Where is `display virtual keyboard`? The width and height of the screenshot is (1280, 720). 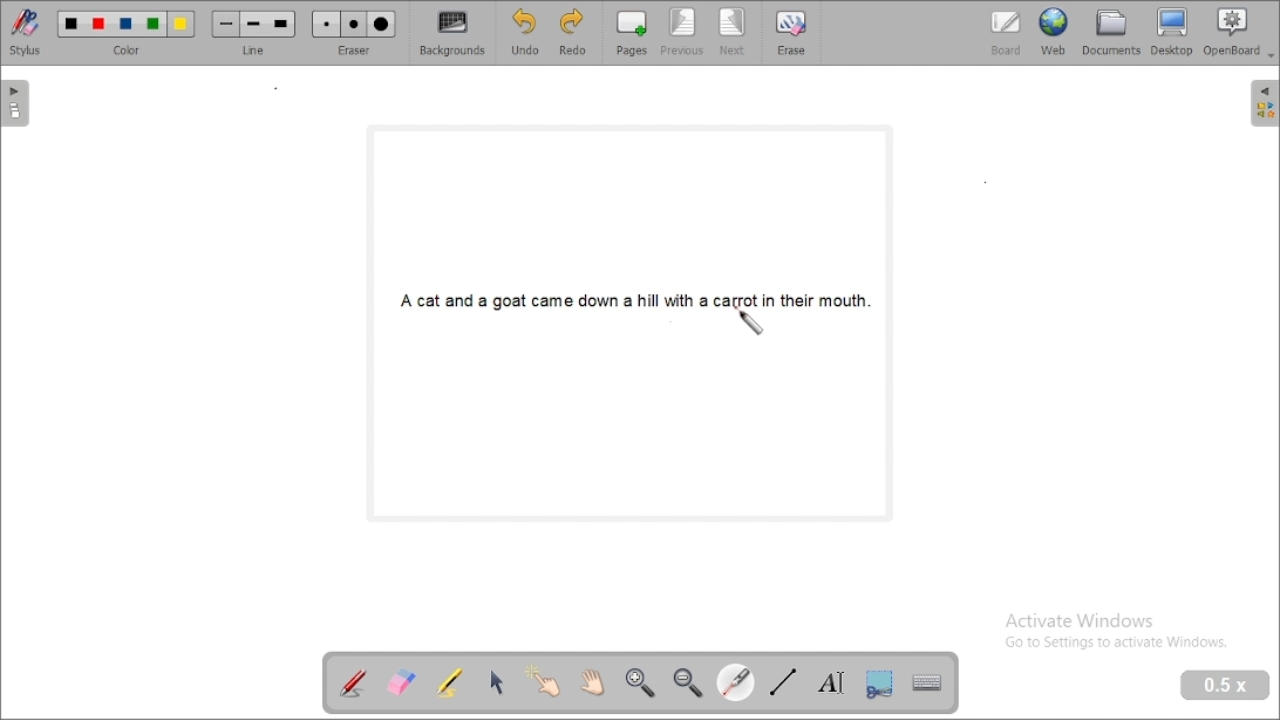
display virtual keyboard is located at coordinates (927, 685).